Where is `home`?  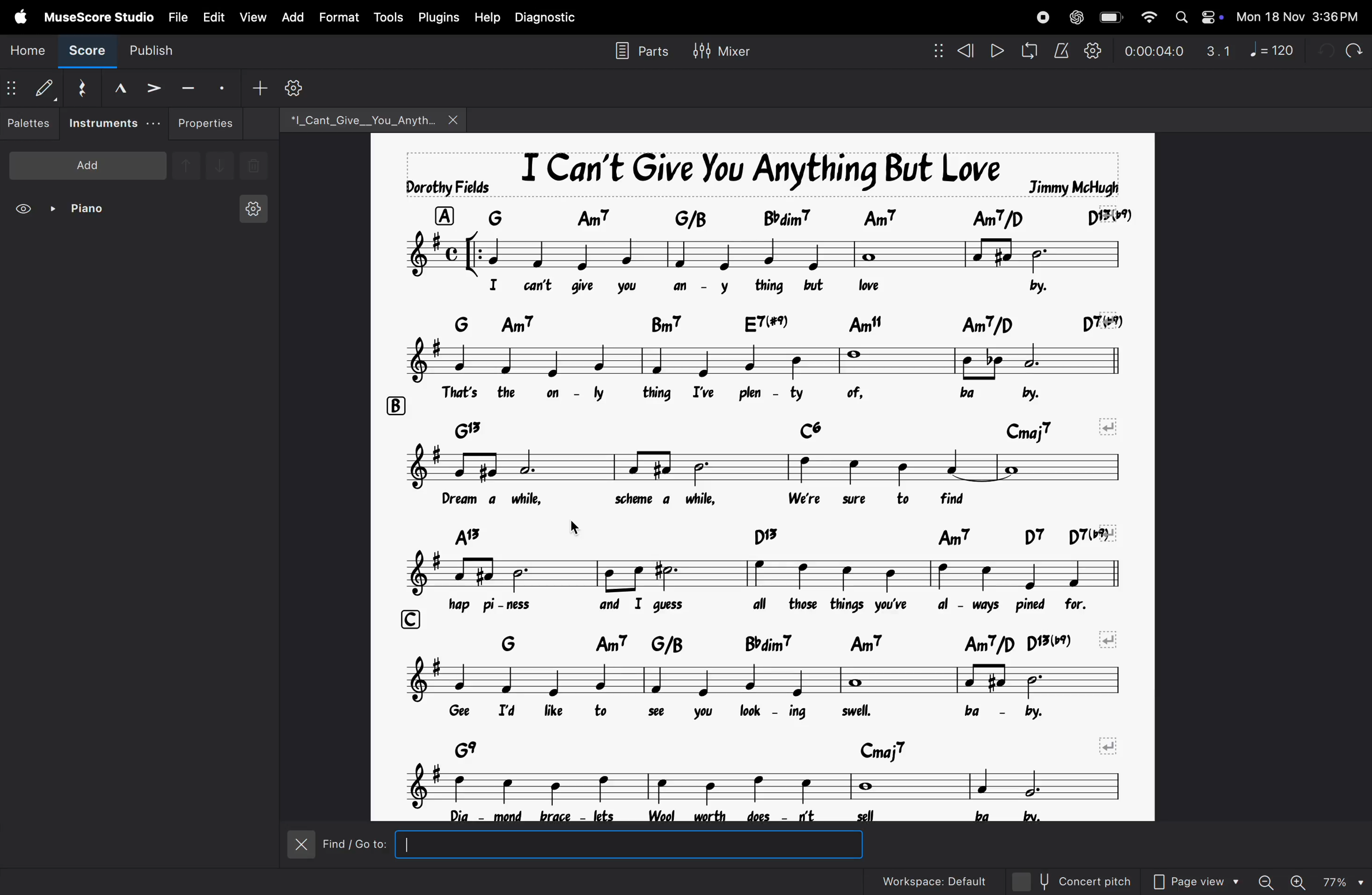 home is located at coordinates (25, 49).